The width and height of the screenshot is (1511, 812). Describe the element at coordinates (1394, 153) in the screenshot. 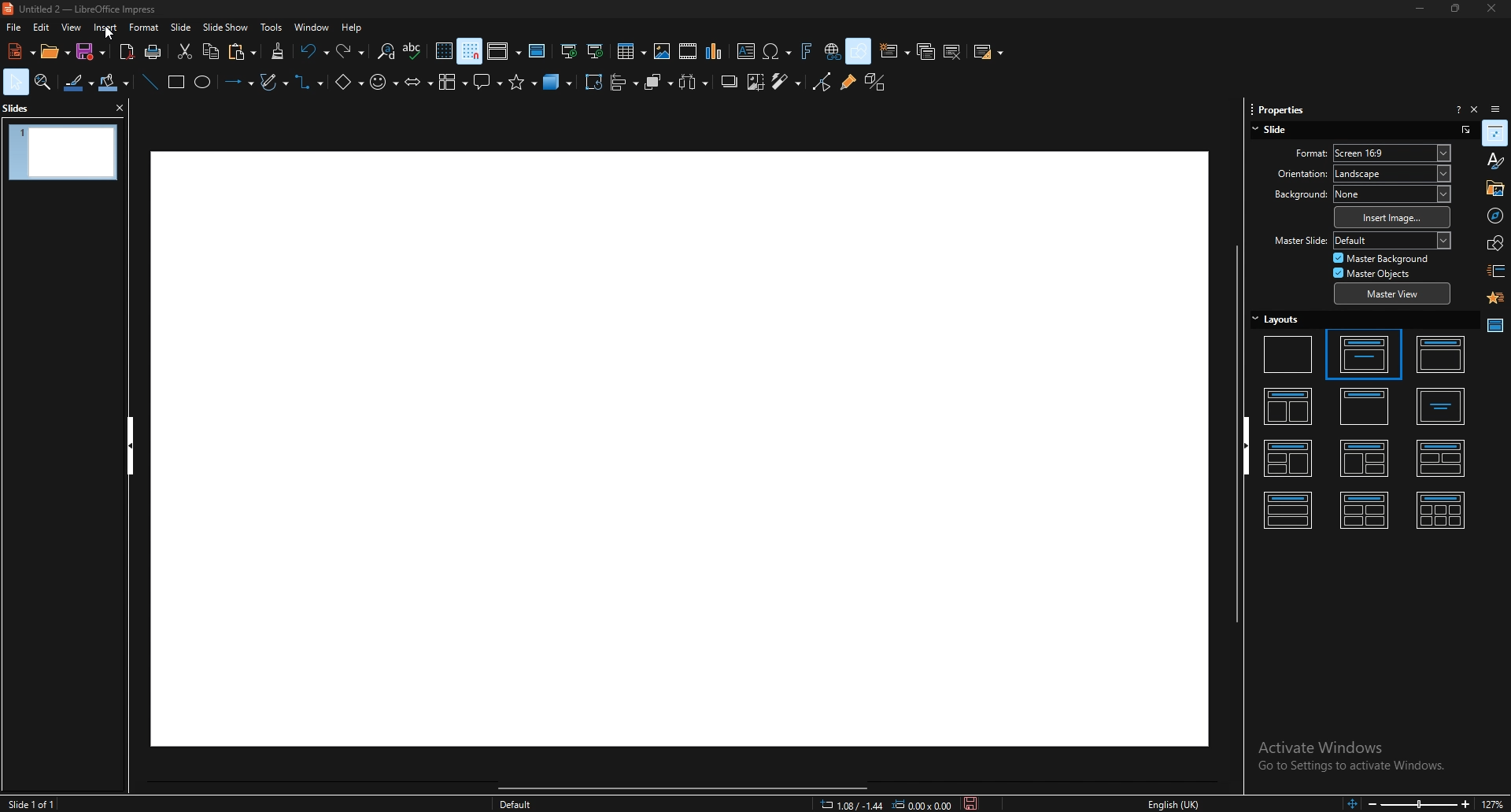

I see `screen 16:9` at that location.